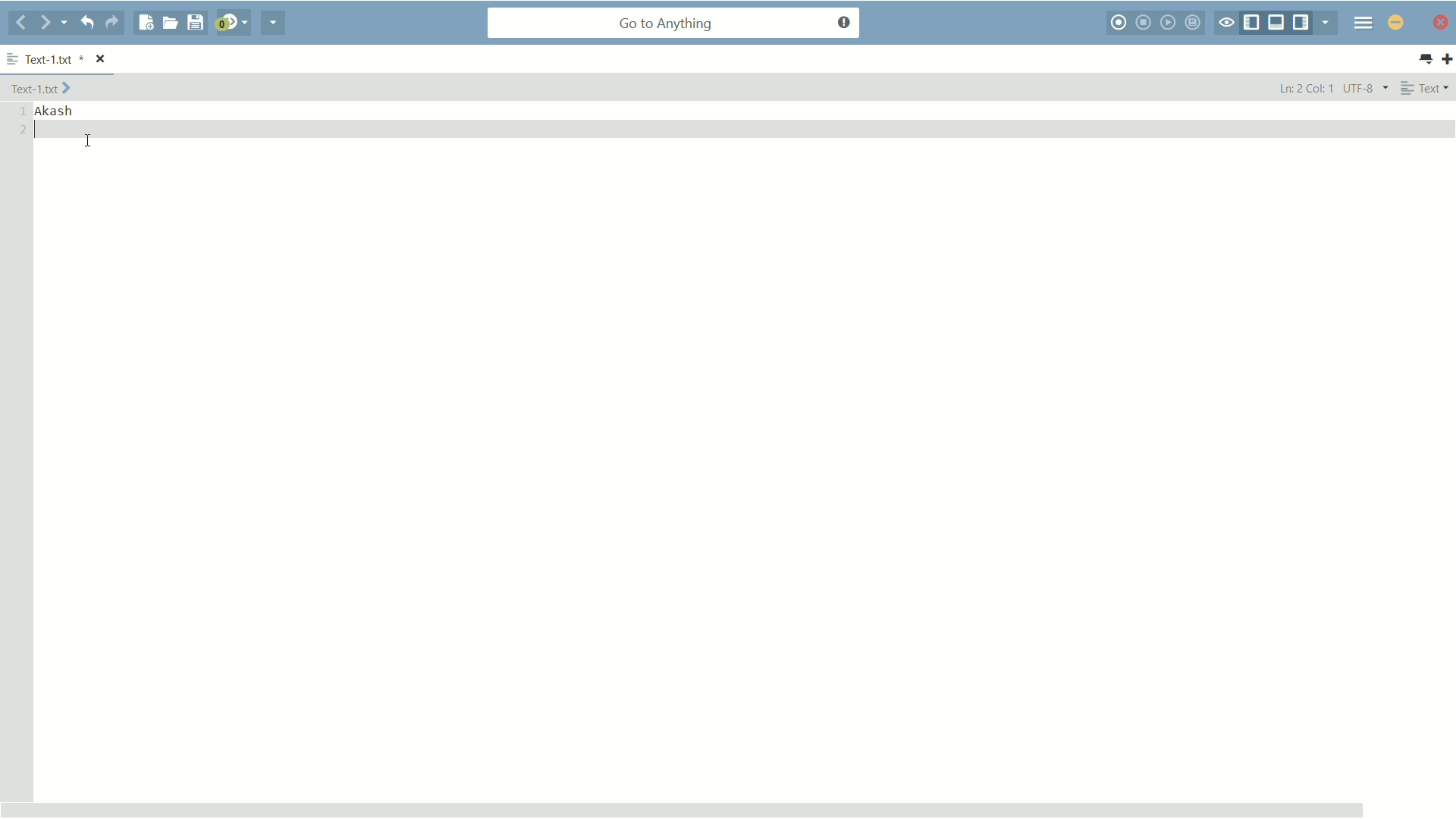 This screenshot has width=1456, height=819. Describe the element at coordinates (1225, 23) in the screenshot. I see `toggle focus mode` at that location.